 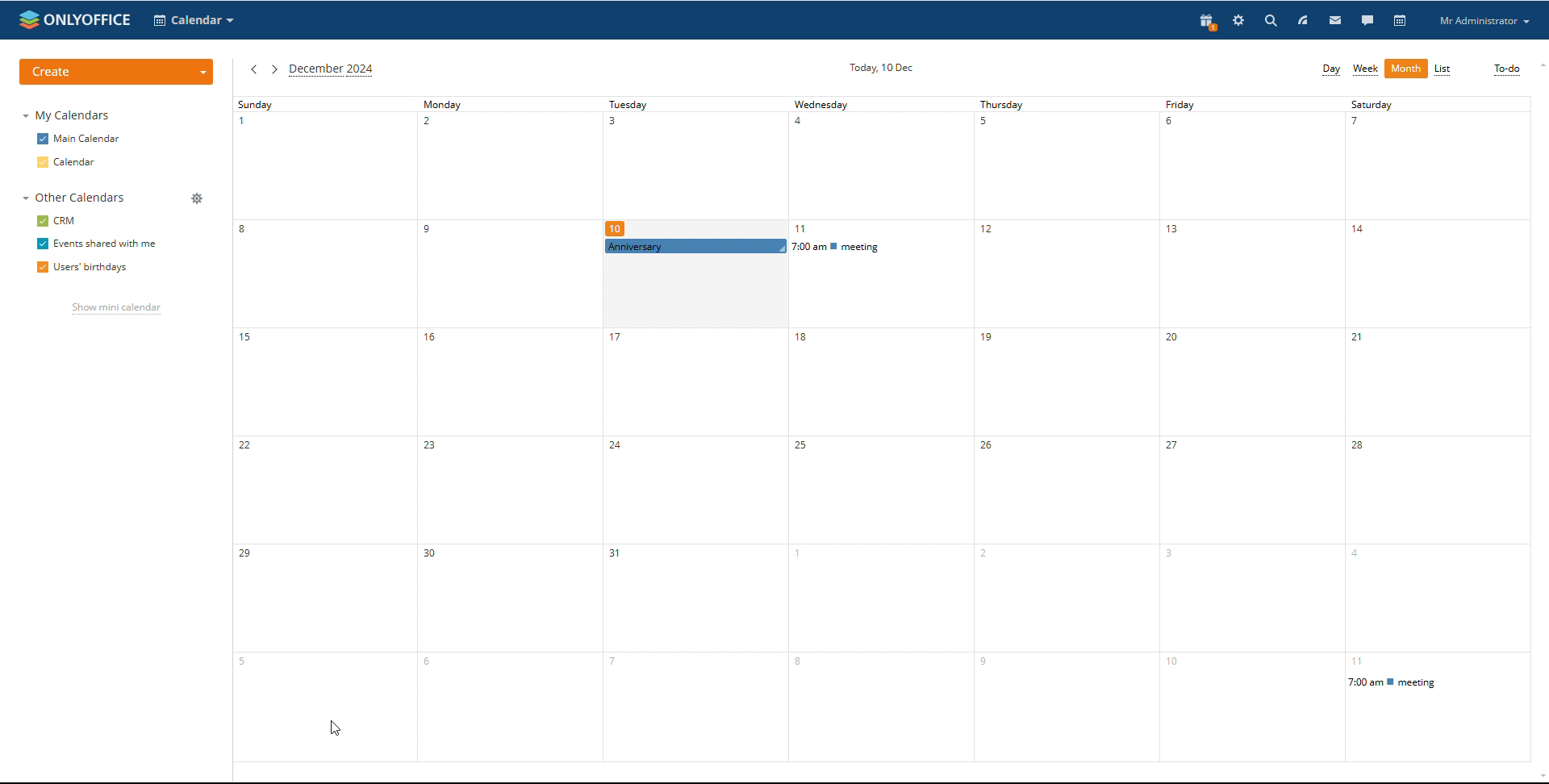 What do you see at coordinates (1238, 20) in the screenshot?
I see `settings` at bounding box center [1238, 20].